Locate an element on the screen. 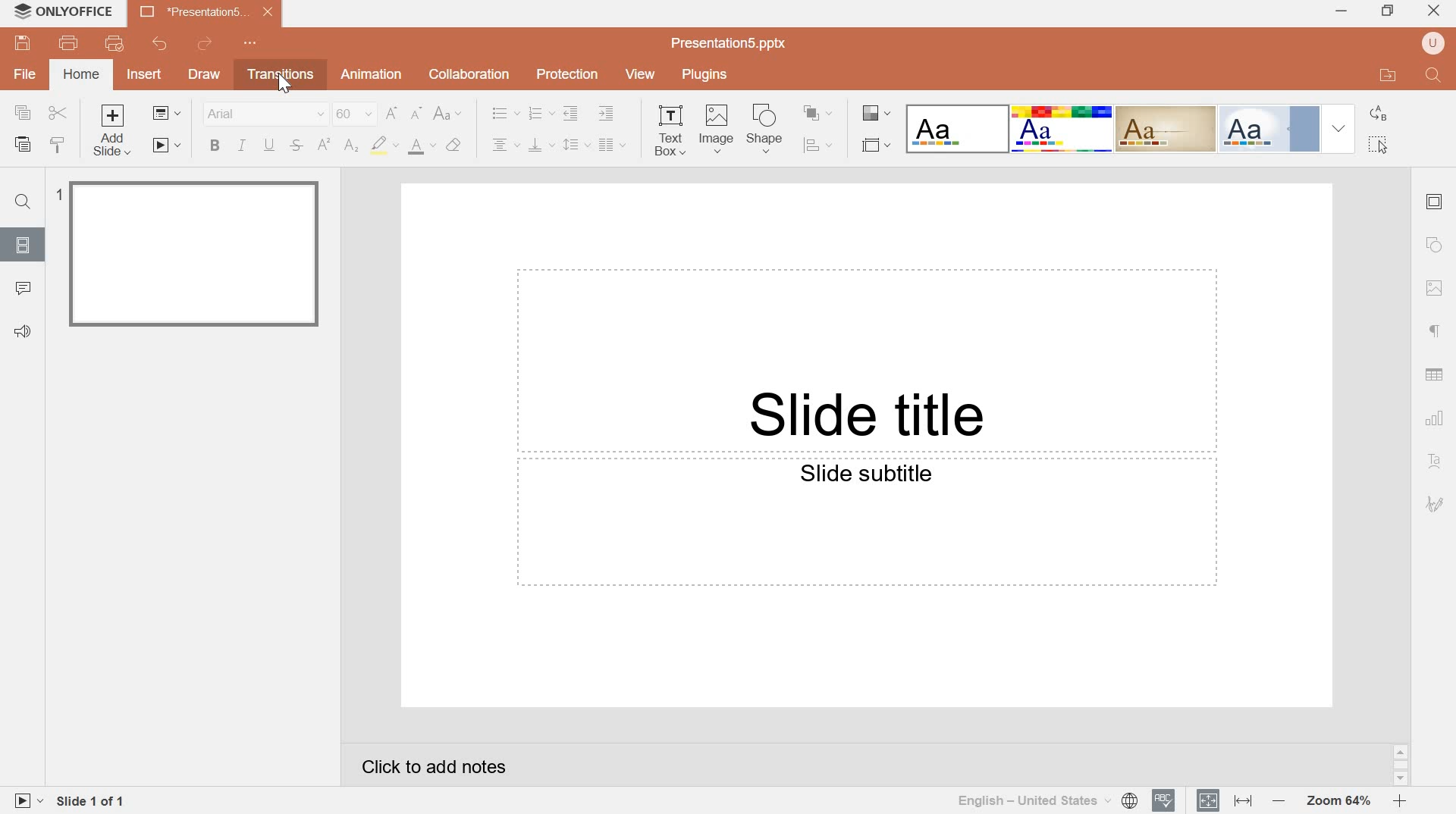 The width and height of the screenshot is (1456, 814). scrollbar is located at coordinates (1401, 765).